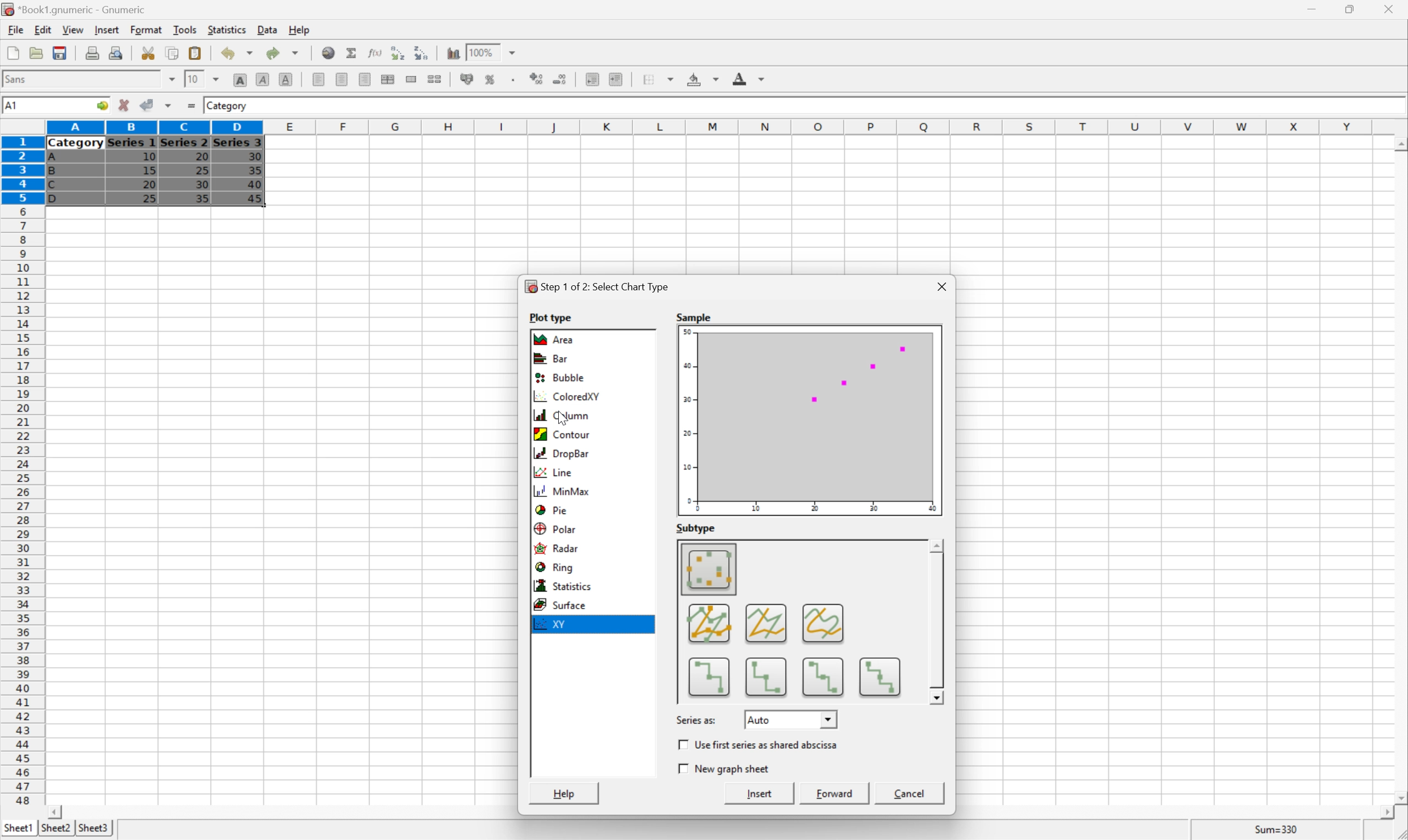  What do you see at coordinates (538, 79) in the screenshot?
I see `Increase the number of decimals displayed` at bounding box center [538, 79].